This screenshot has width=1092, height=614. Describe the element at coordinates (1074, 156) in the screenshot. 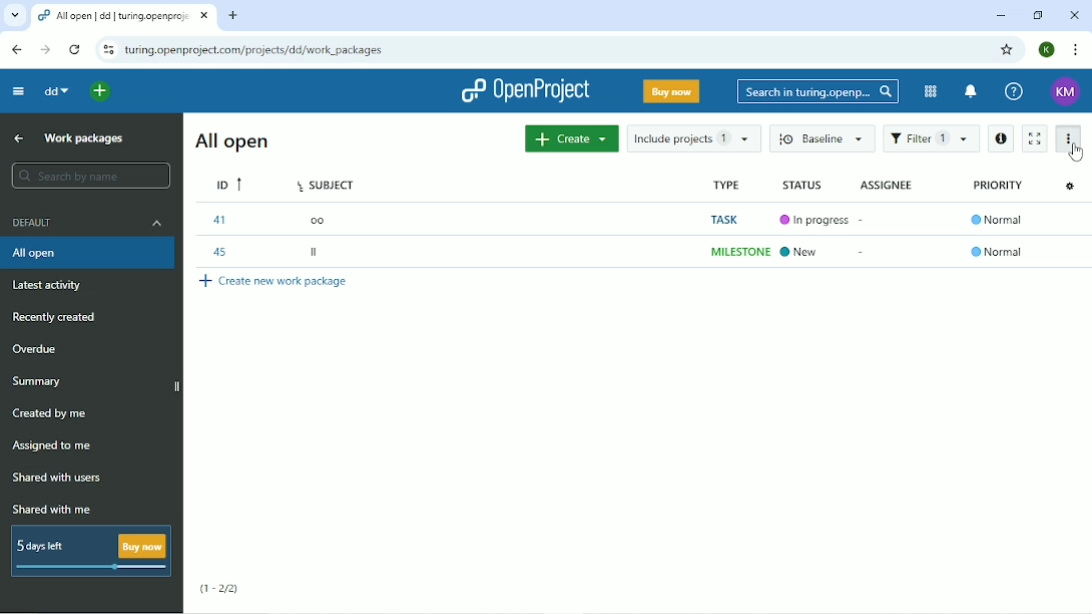

I see `cursor` at that location.